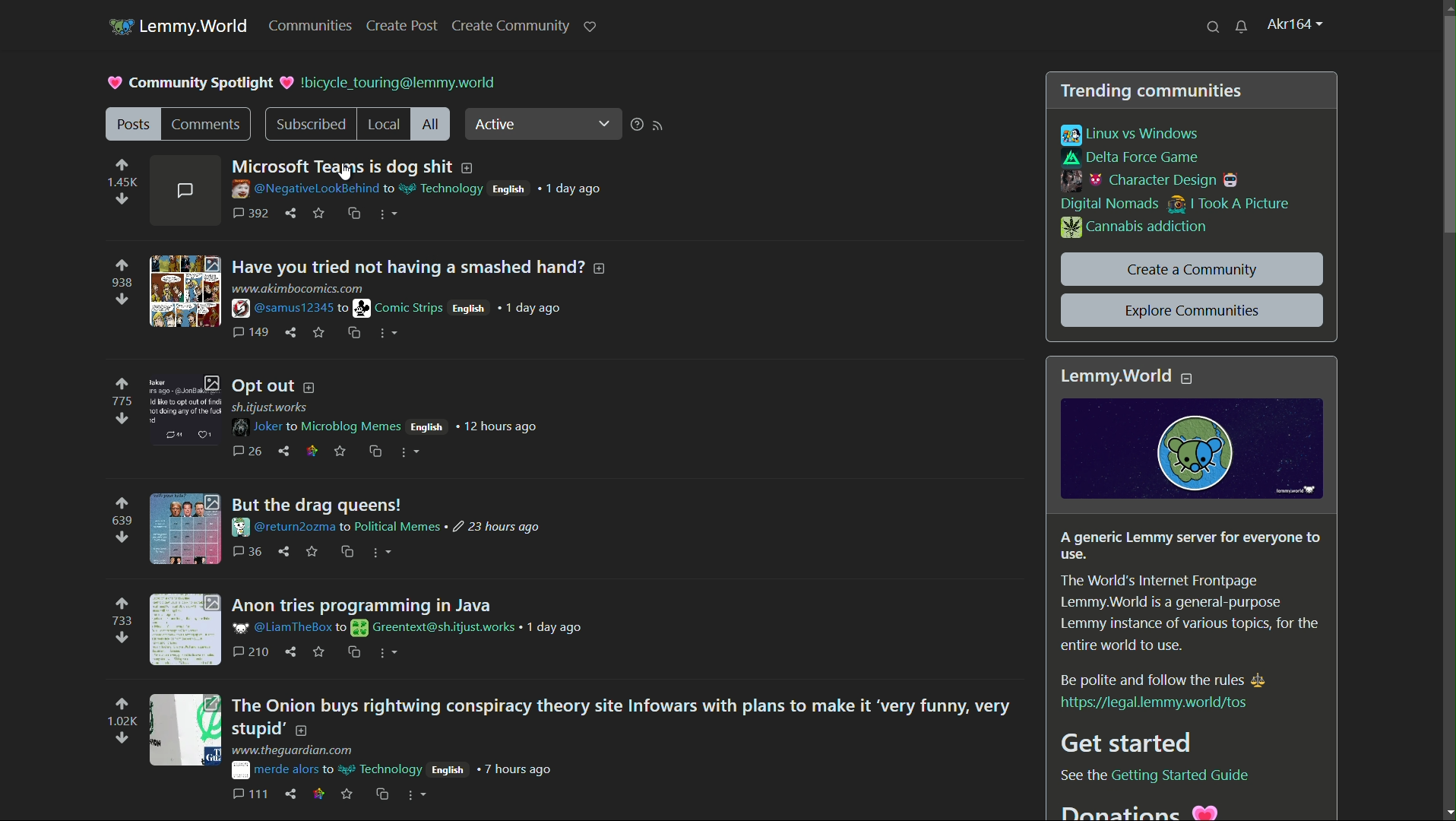  Describe the element at coordinates (432, 125) in the screenshot. I see `all` at that location.